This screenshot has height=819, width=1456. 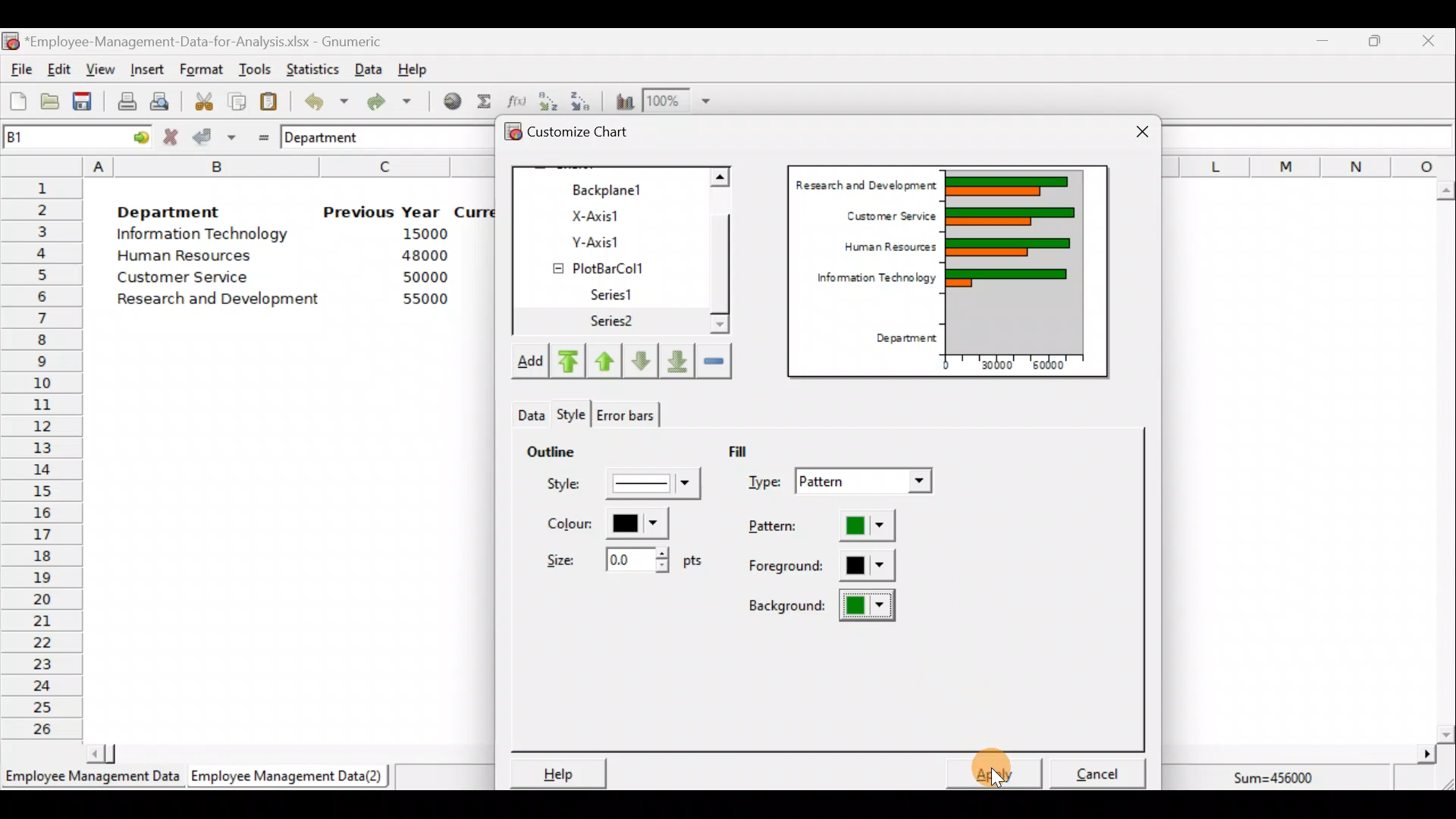 I want to click on Zoom, so click(x=678, y=101).